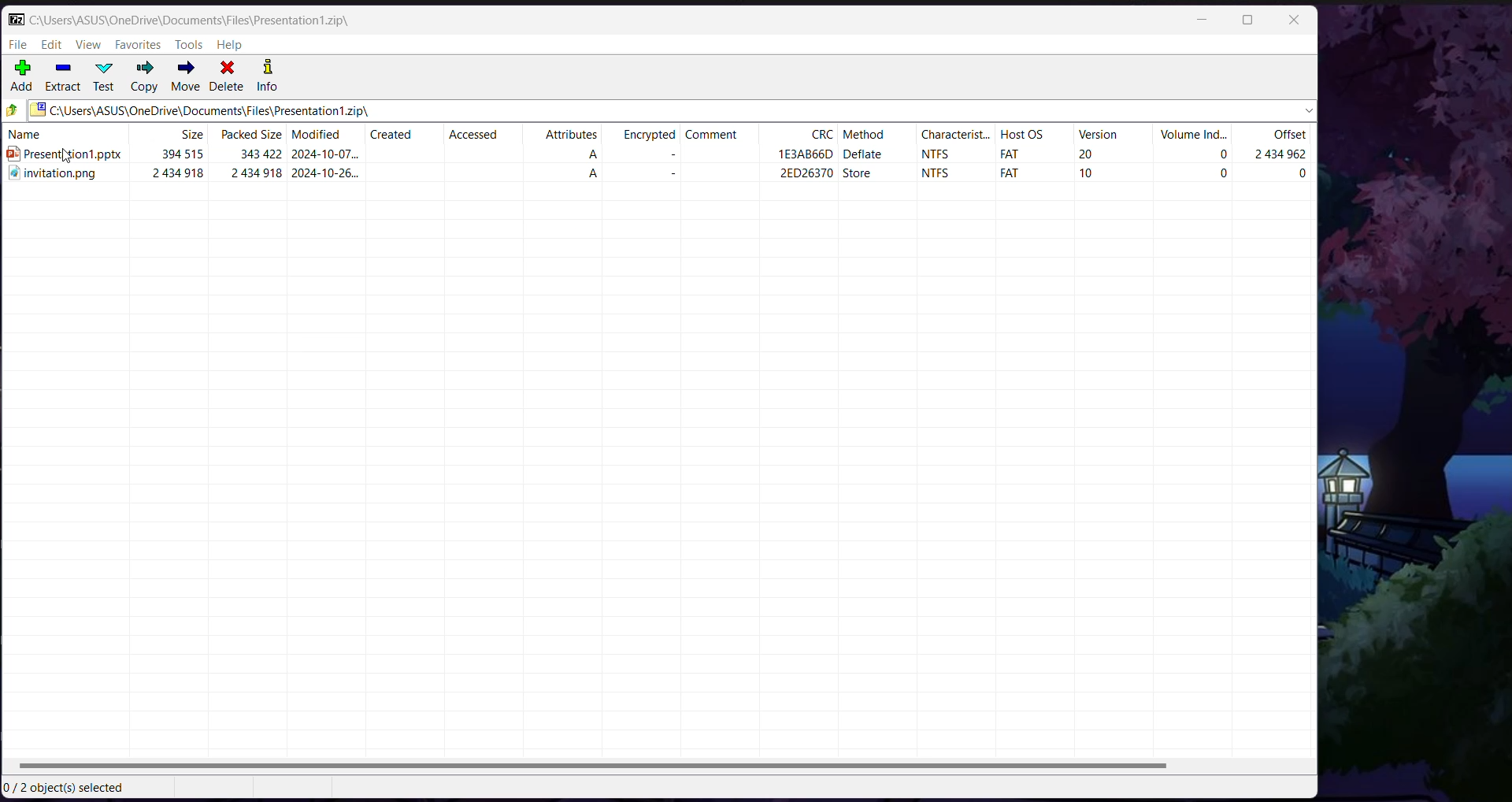 Image resolution: width=1512 pixels, height=802 pixels. I want to click on 10, so click(1095, 176).